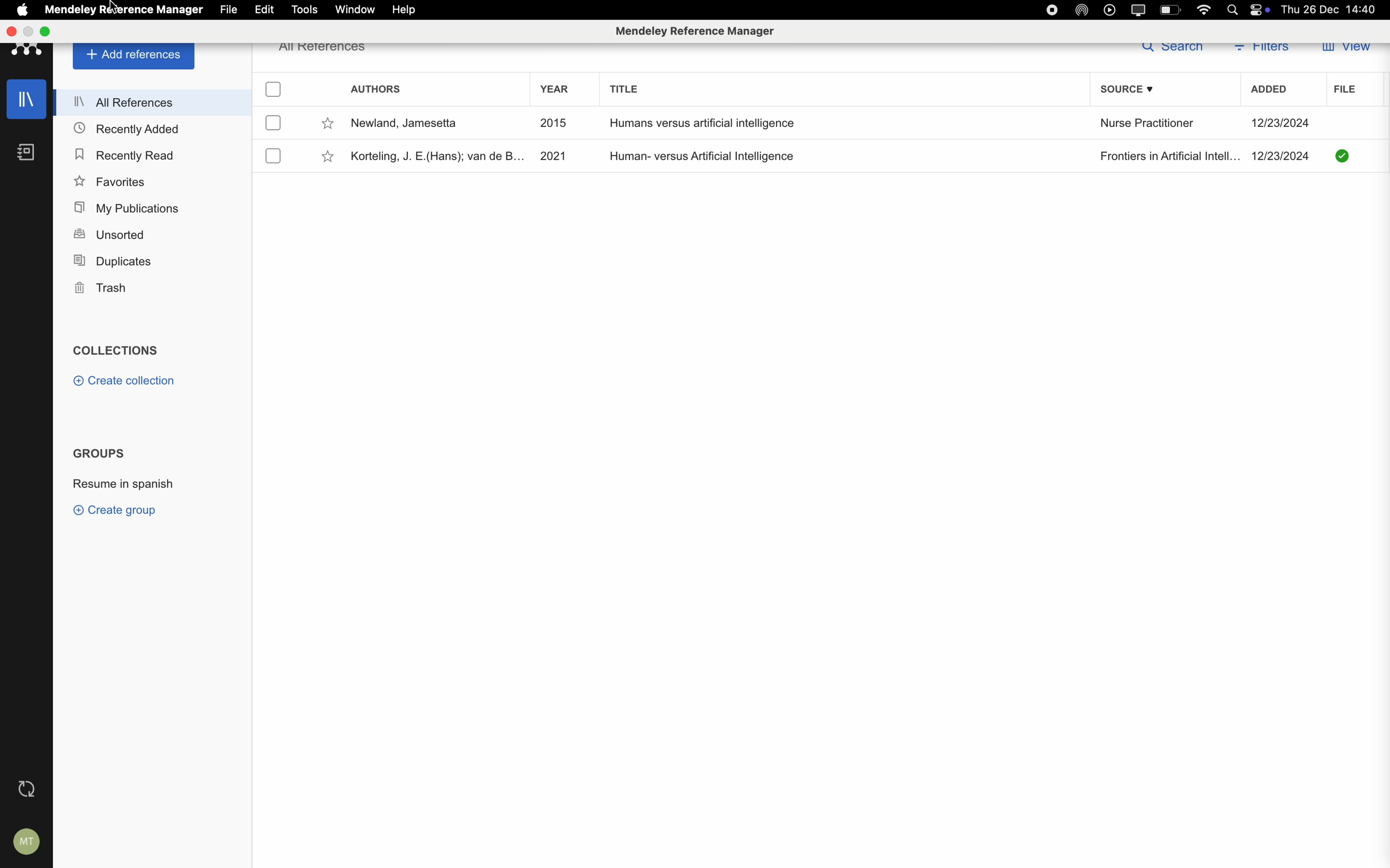  What do you see at coordinates (109, 234) in the screenshot?
I see `unsorted` at bounding box center [109, 234].